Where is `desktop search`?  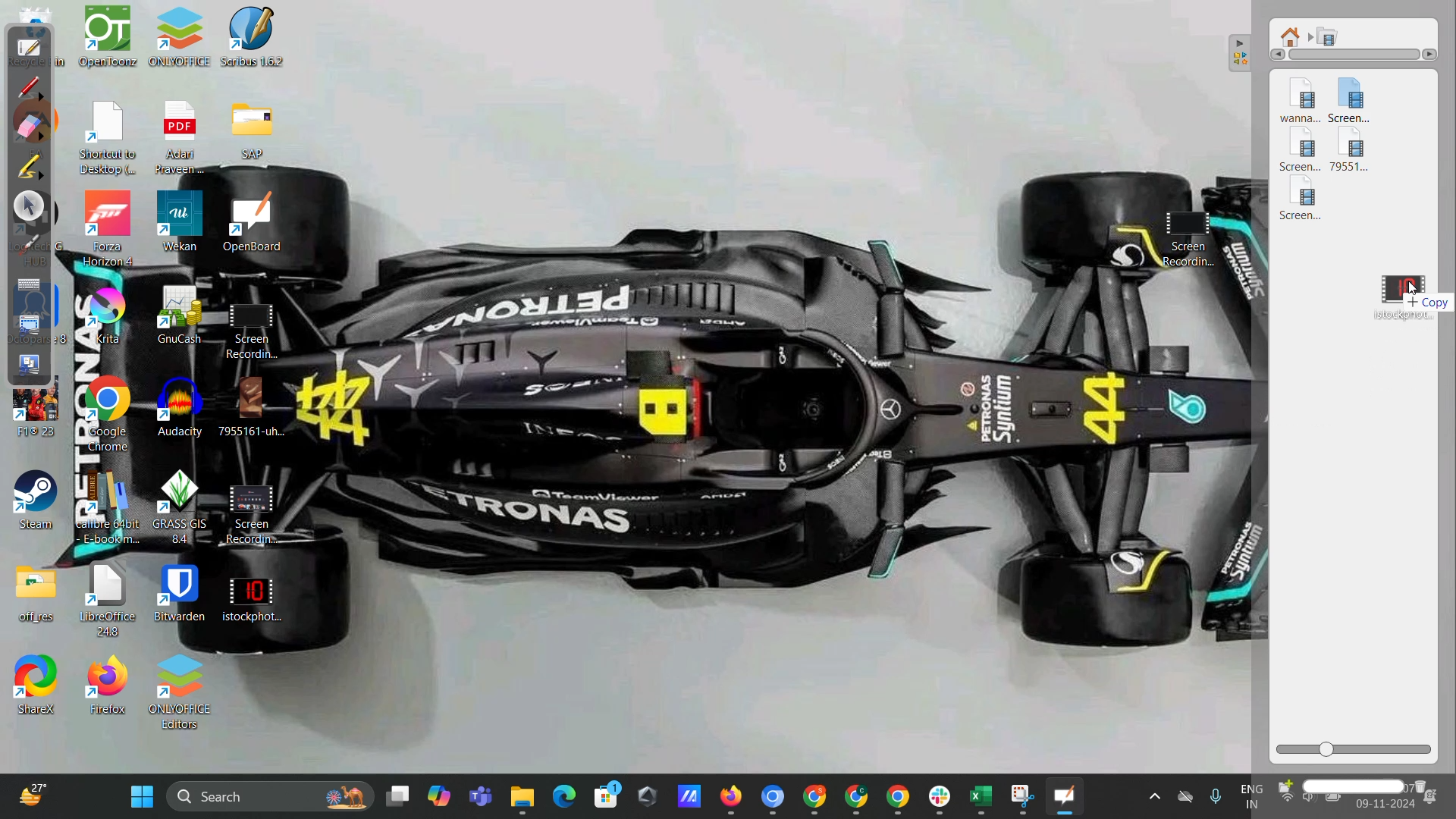
desktop search is located at coordinates (271, 799).